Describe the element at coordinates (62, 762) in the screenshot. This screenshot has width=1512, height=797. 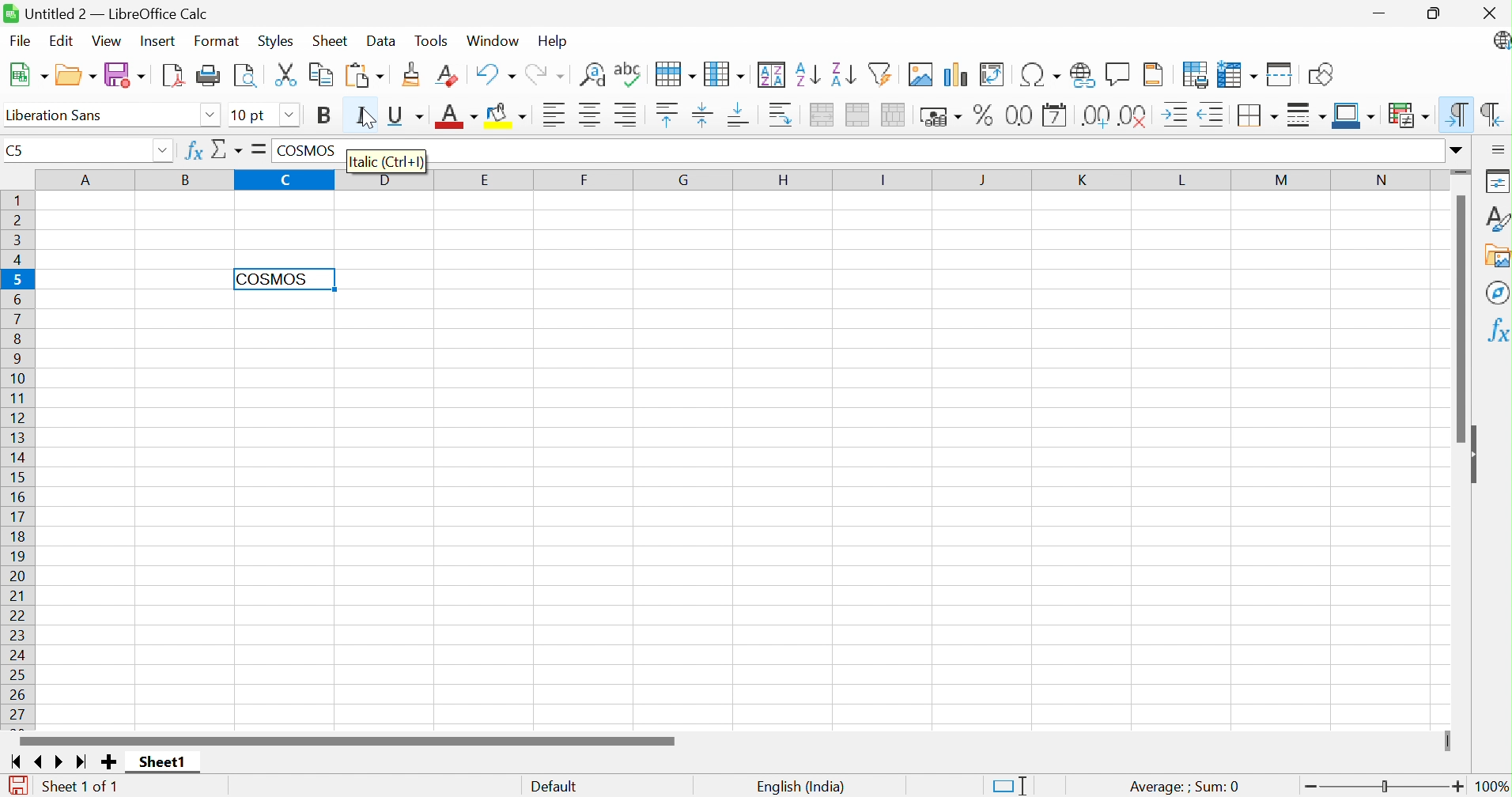
I see `Scroll to next sheet` at that location.